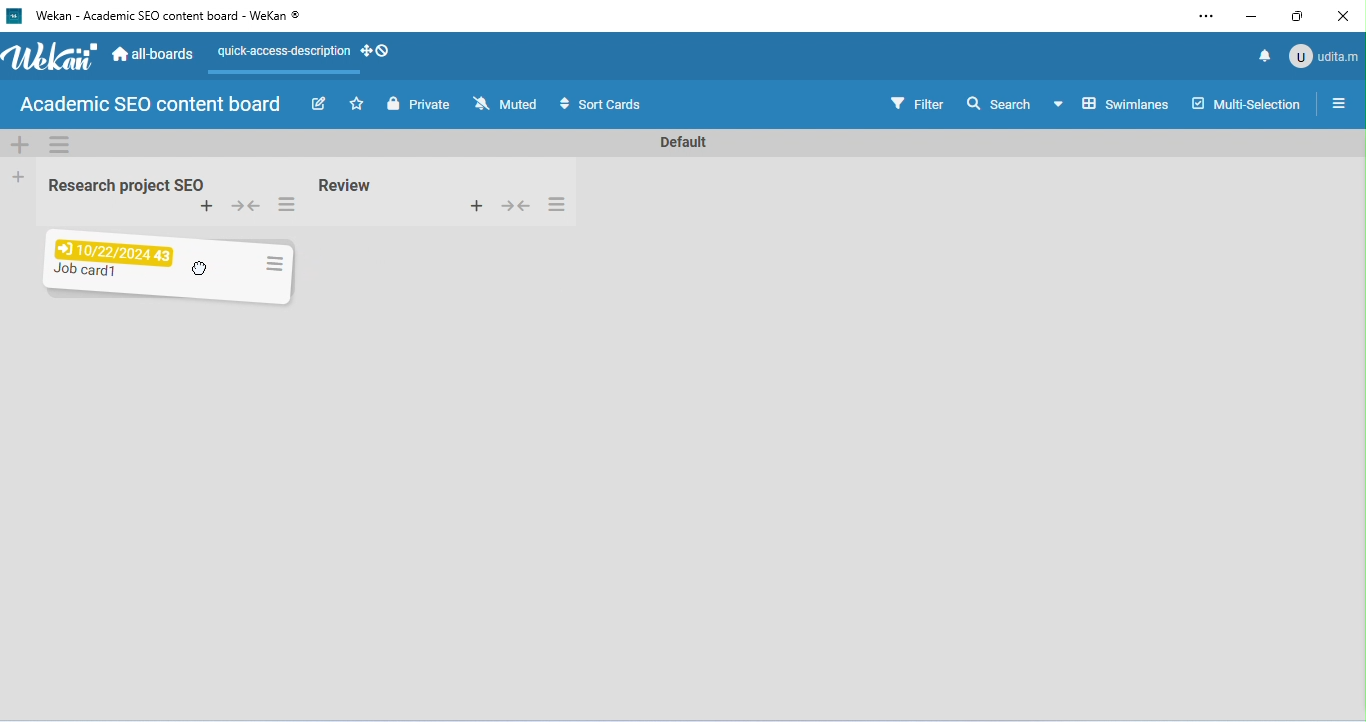 The image size is (1366, 722). Describe the element at coordinates (322, 106) in the screenshot. I see `edit` at that location.